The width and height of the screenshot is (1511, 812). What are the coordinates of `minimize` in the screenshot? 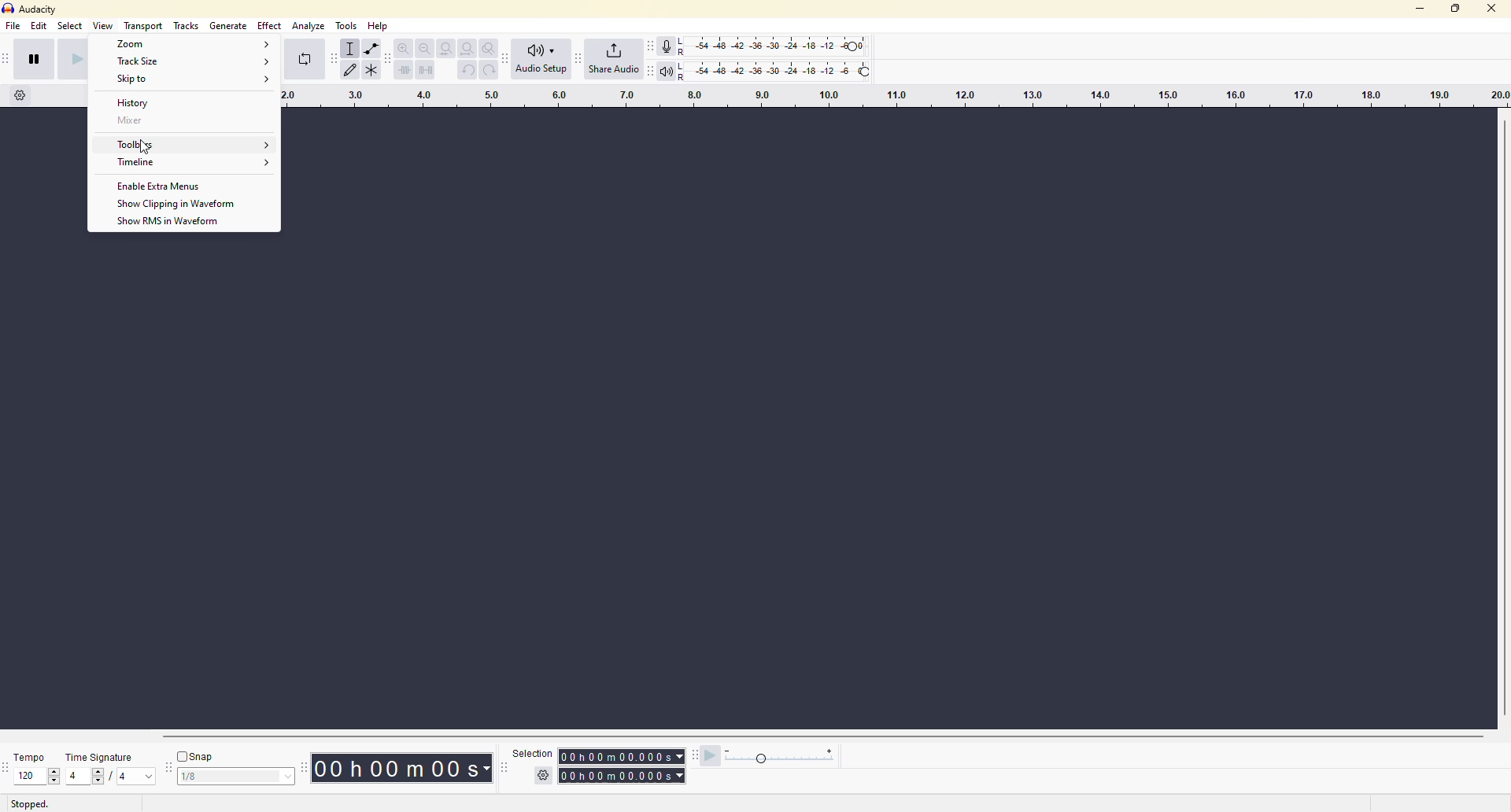 It's located at (1419, 9).